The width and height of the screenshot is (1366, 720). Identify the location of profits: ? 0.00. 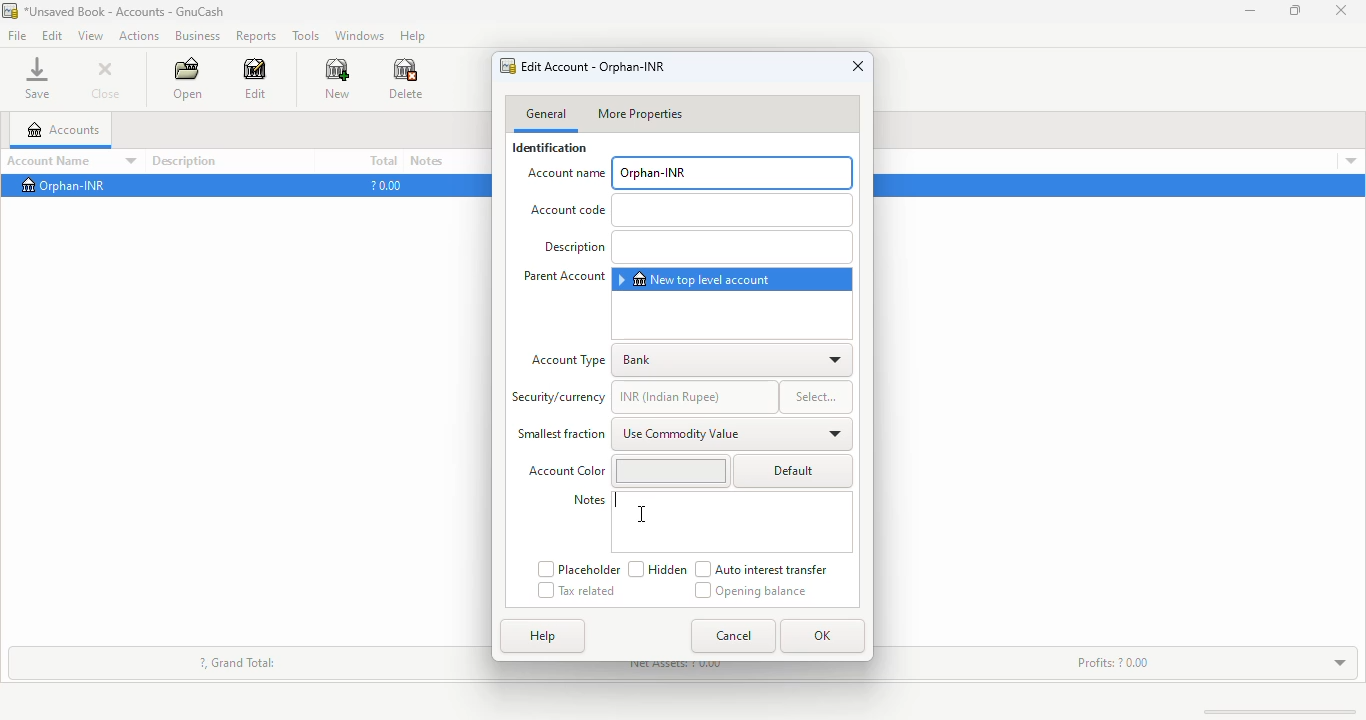
(1113, 662).